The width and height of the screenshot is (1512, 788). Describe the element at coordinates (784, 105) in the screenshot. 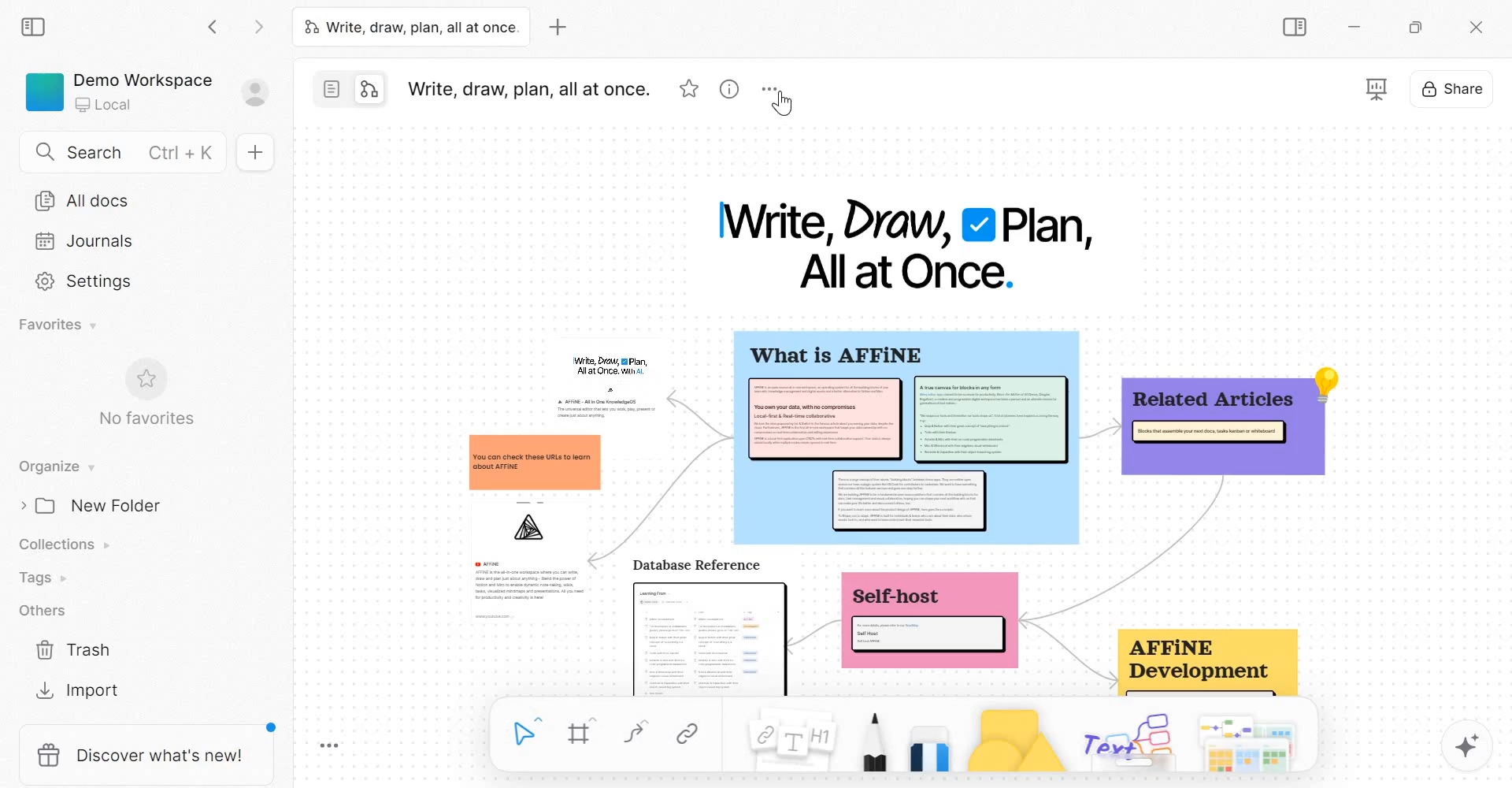

I see `cursor` at that location.